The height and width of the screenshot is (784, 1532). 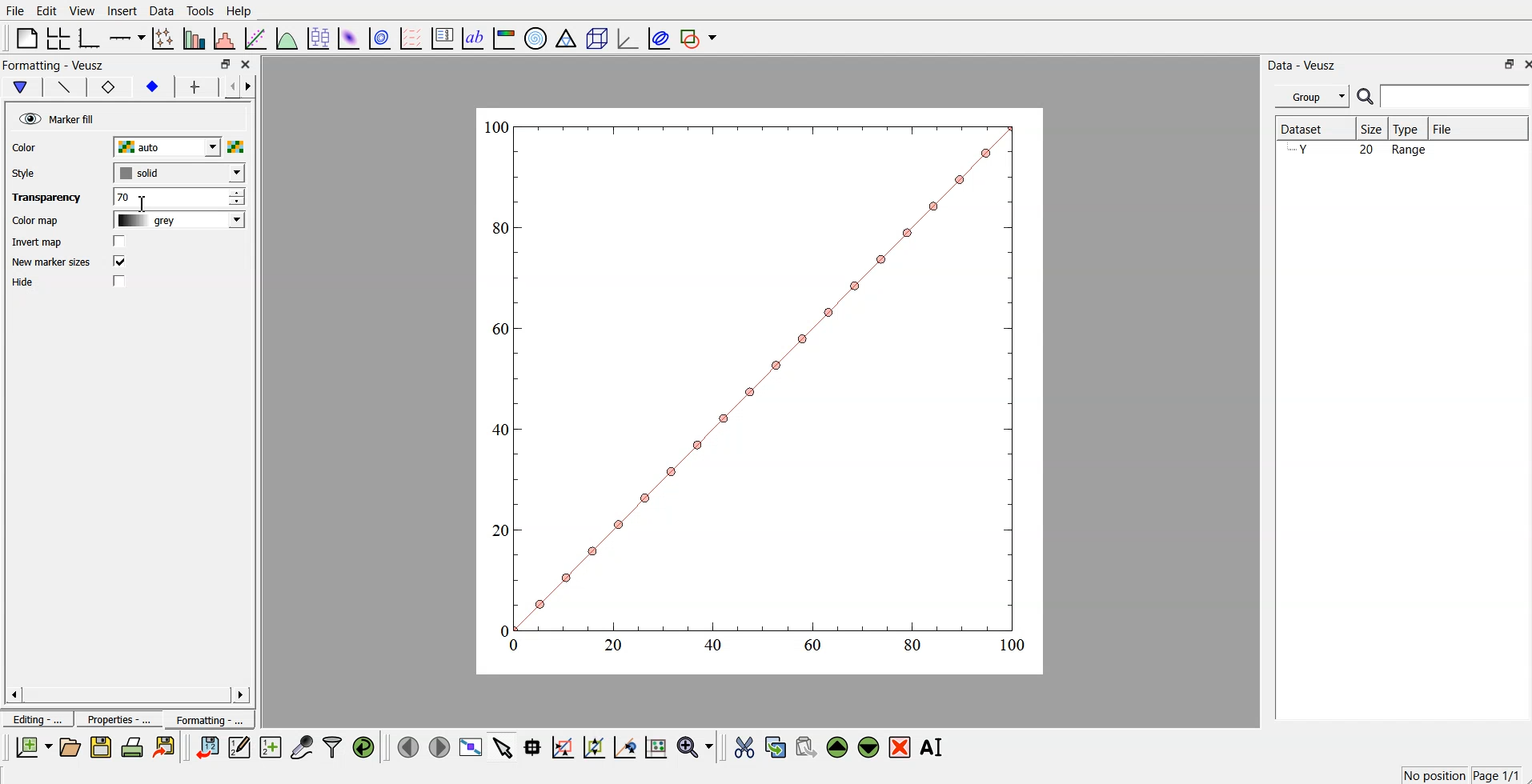 I want to click on shape fill, so click(x=19, y=87).